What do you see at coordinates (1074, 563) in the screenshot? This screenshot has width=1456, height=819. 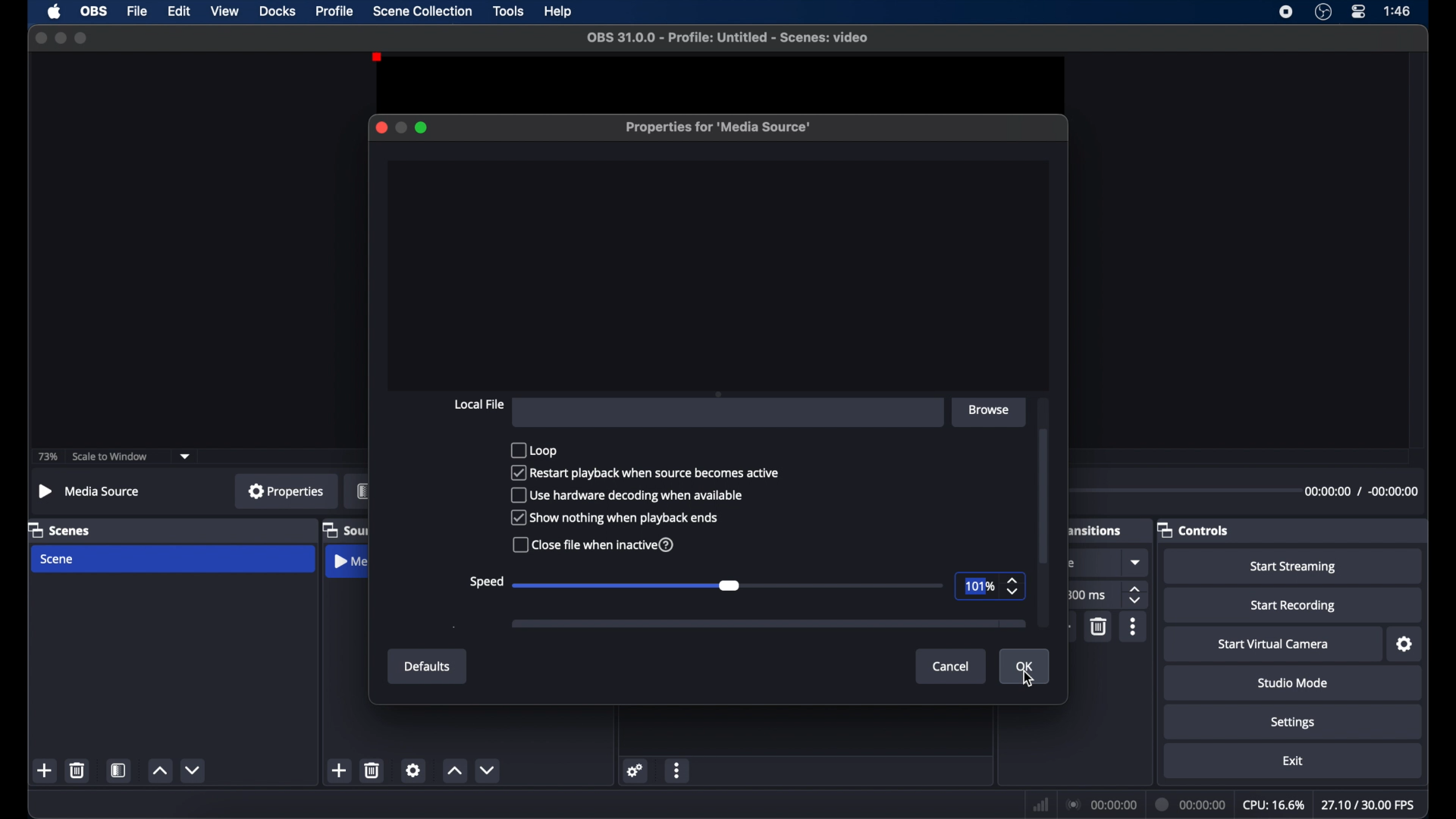 I see `obscure text` at bounding box center [1074, 563].